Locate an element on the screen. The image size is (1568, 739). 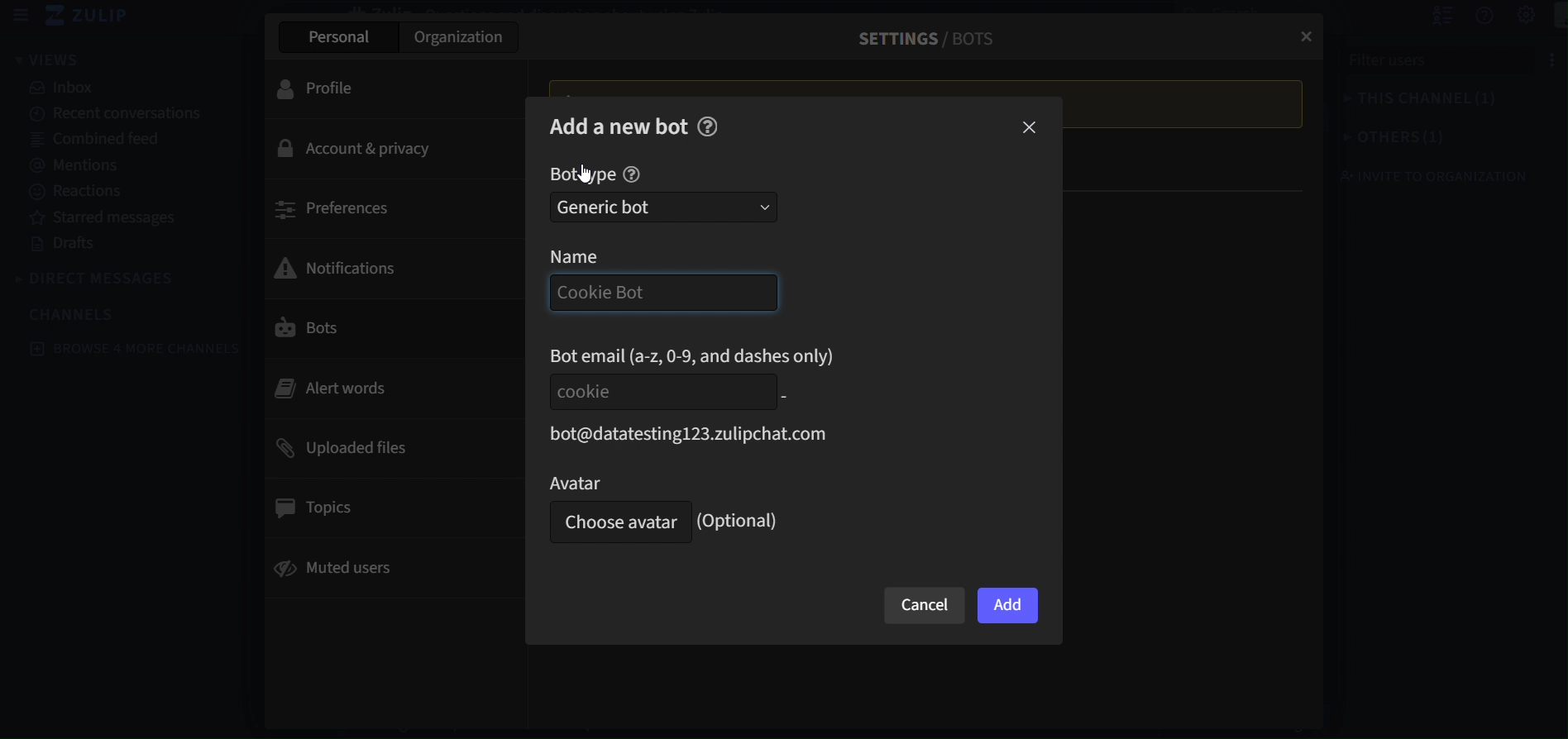
add a new bot is located at coordinates (619, 125).